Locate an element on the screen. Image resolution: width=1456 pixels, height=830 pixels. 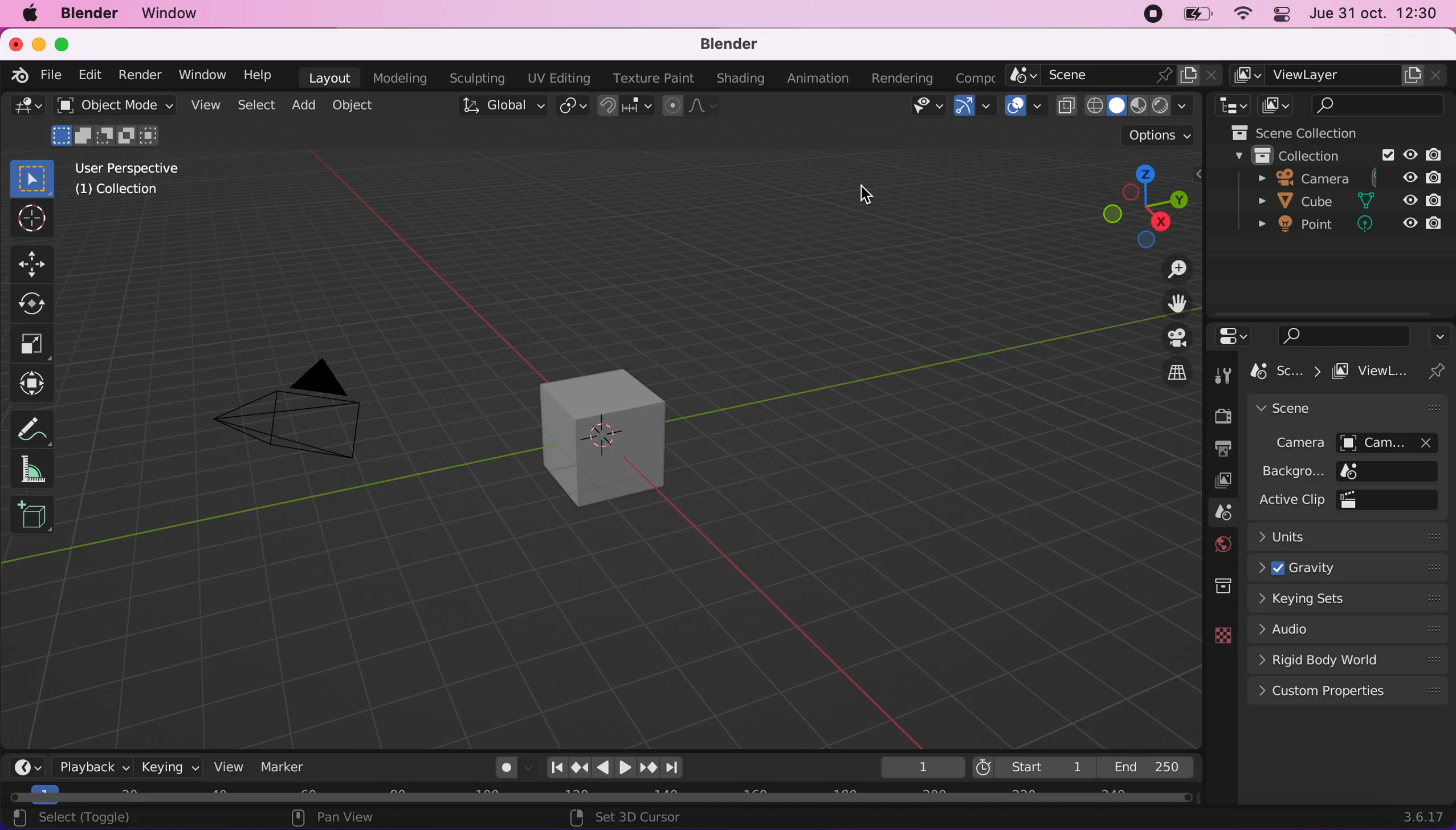
scene is located at coordinates (1115, 75).